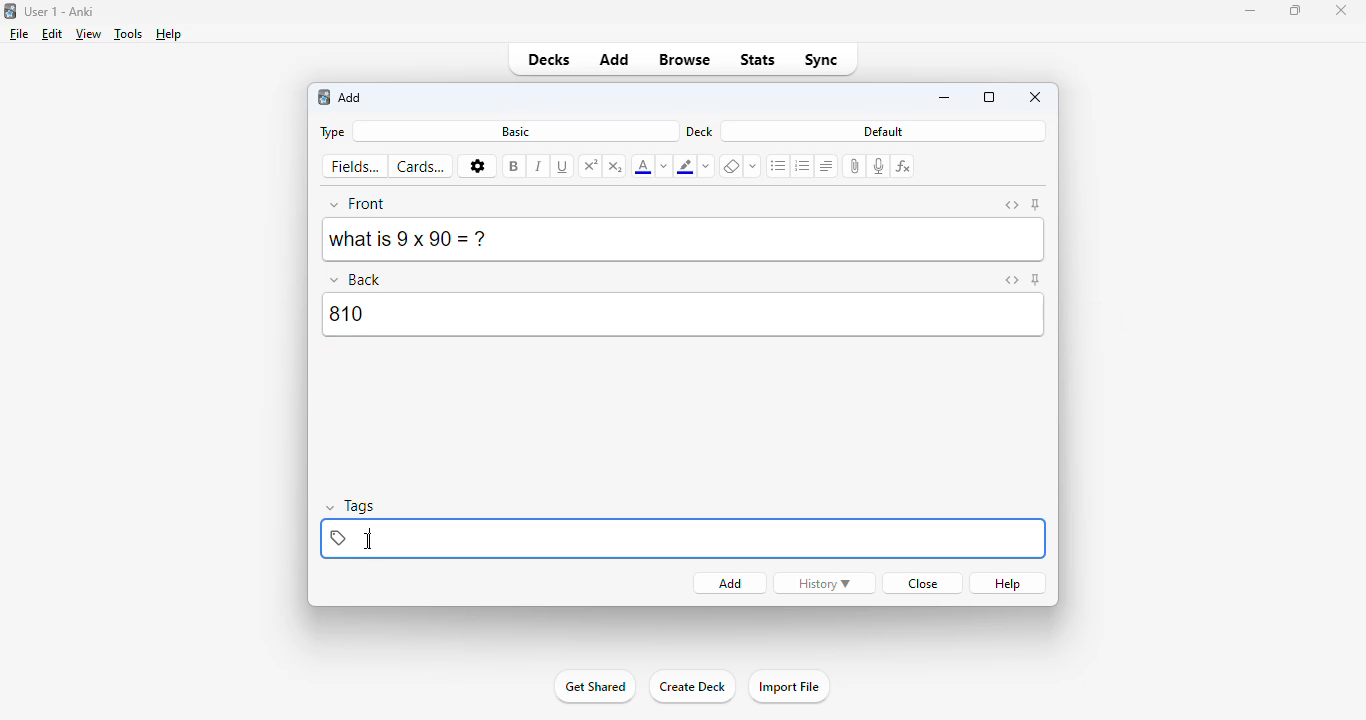  Describe the element at coordinates (421, 166) in the screenshot. I see `cards` at that location.